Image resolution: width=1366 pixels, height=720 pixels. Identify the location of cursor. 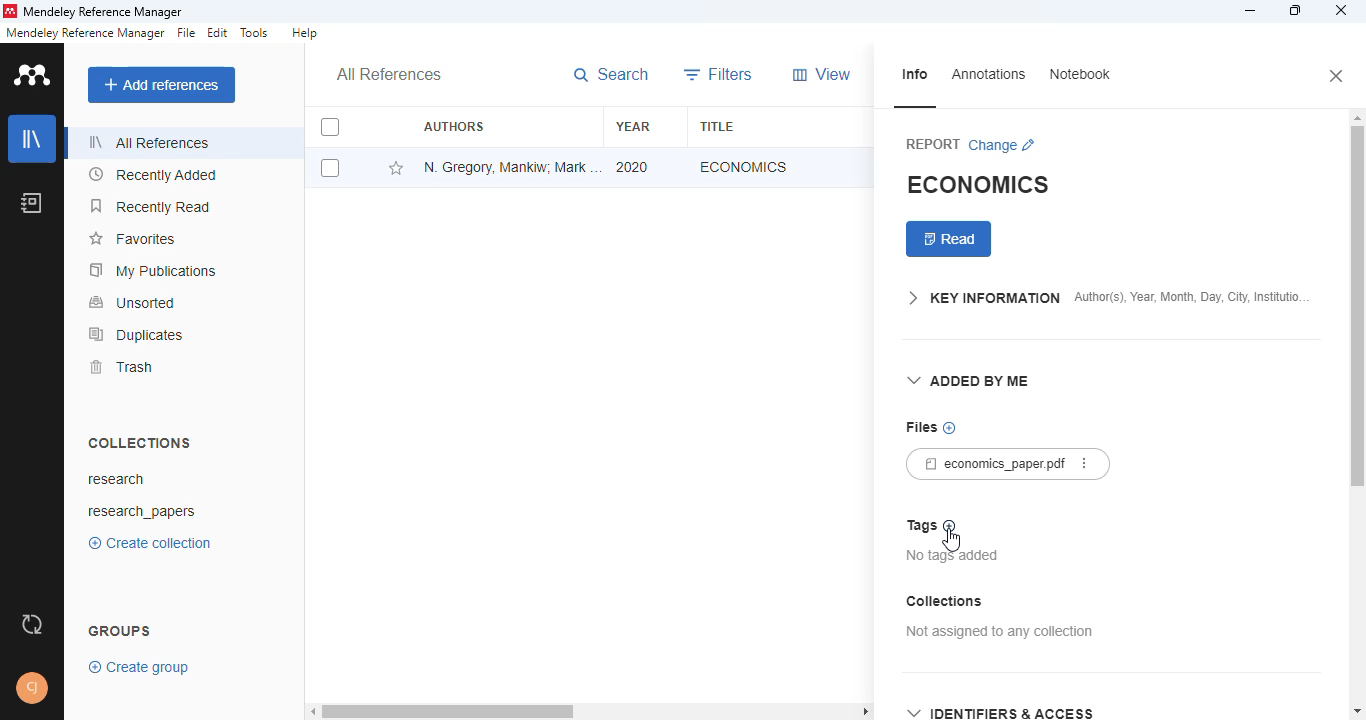
(952, 541).